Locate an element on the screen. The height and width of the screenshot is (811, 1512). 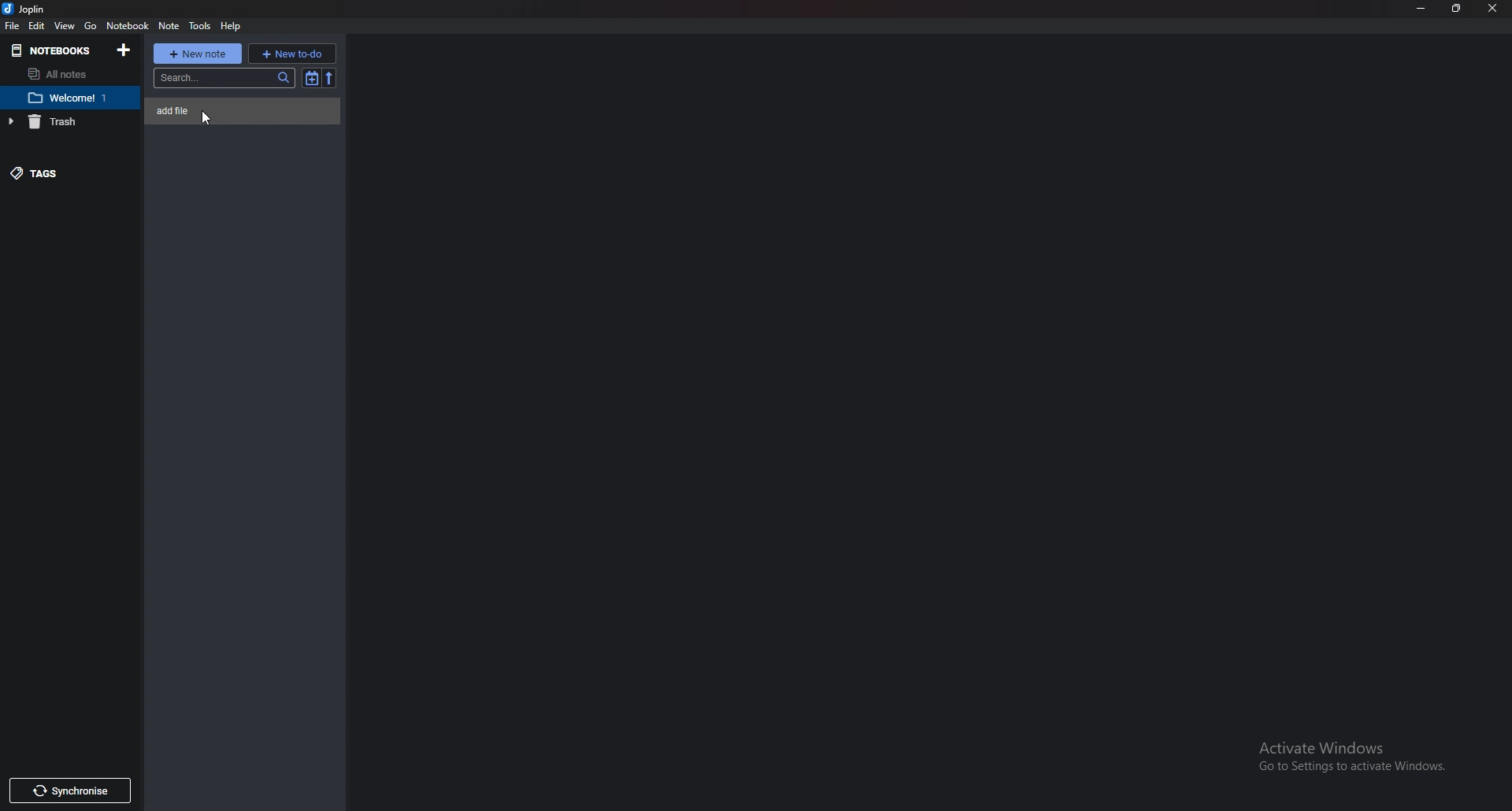
reverse sort order is located at coordinates (332, 77).